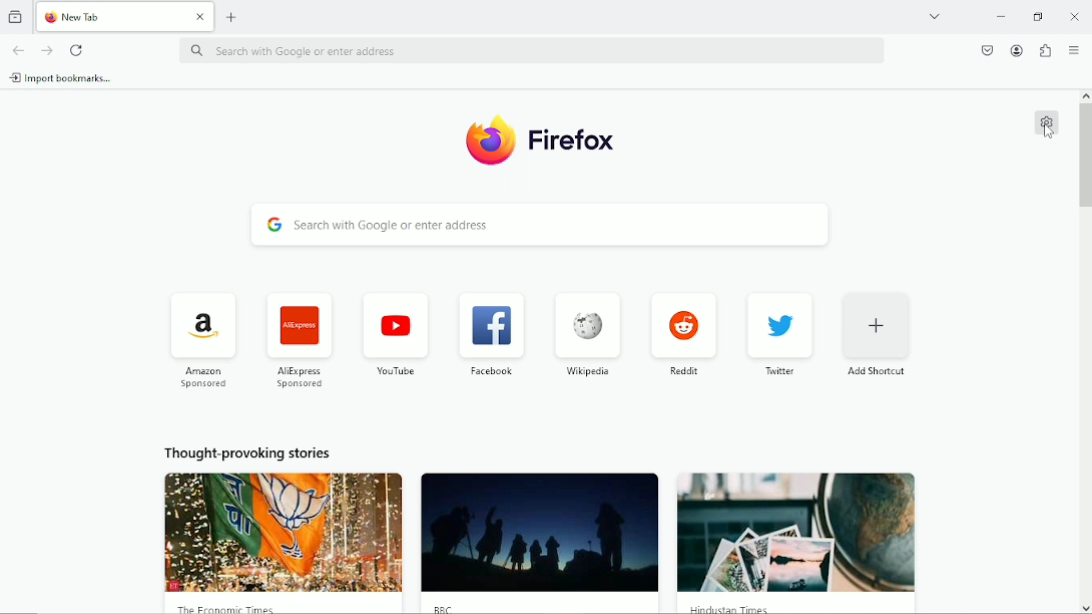 The image size is (1092, 614). Describe the element at coordinates (199, 18) in the screenshot. I see `close` at that location.